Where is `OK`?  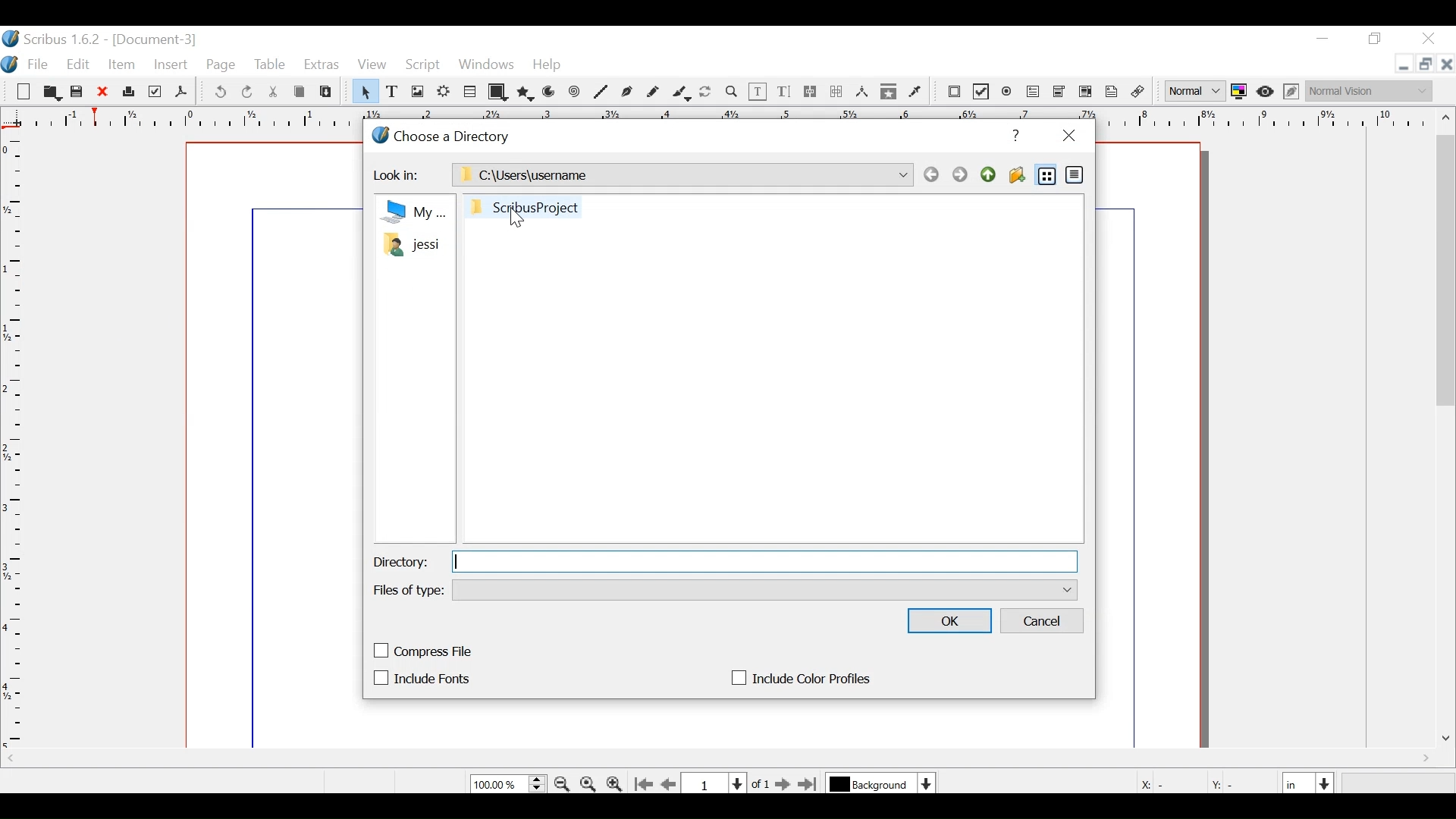 OK is located at coordinates (948, 620).